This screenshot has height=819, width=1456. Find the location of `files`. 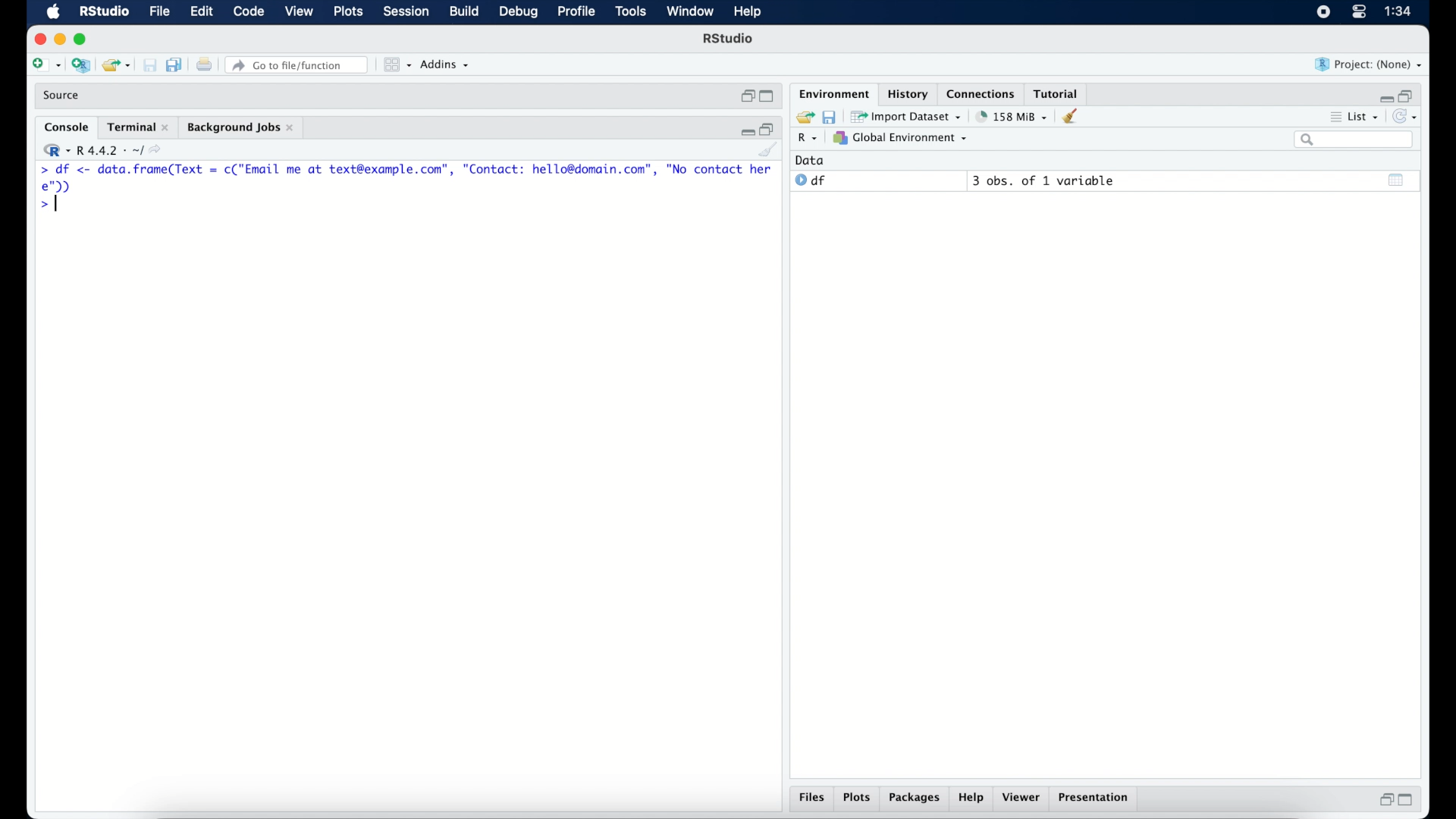

files is located at coordinates (810, 797).